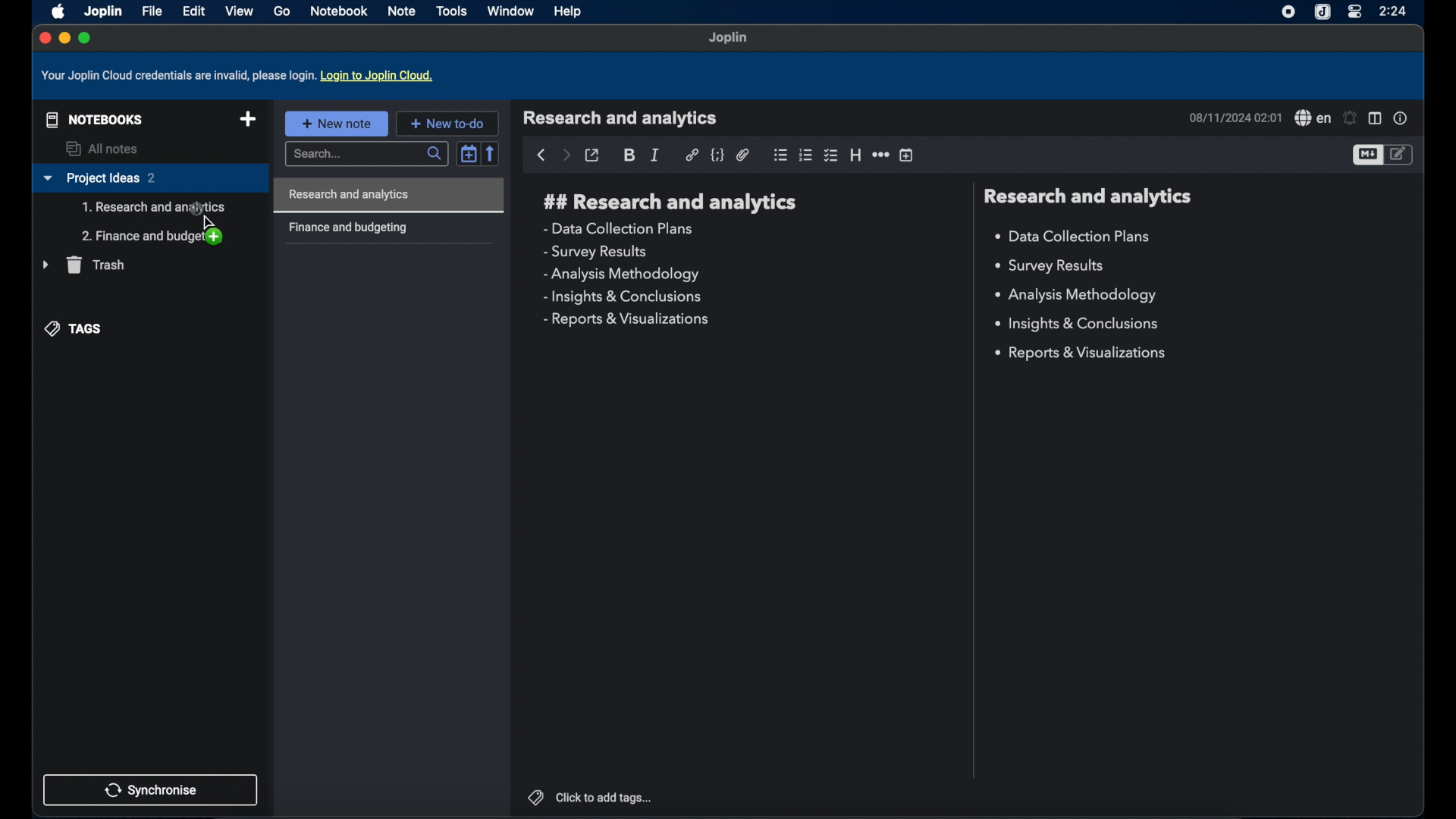 Image resolution: width=1456 pixels, height=819 pixels. Describe the element at coordinates (630, 155) in the screenshot. I see `bold` at that location.